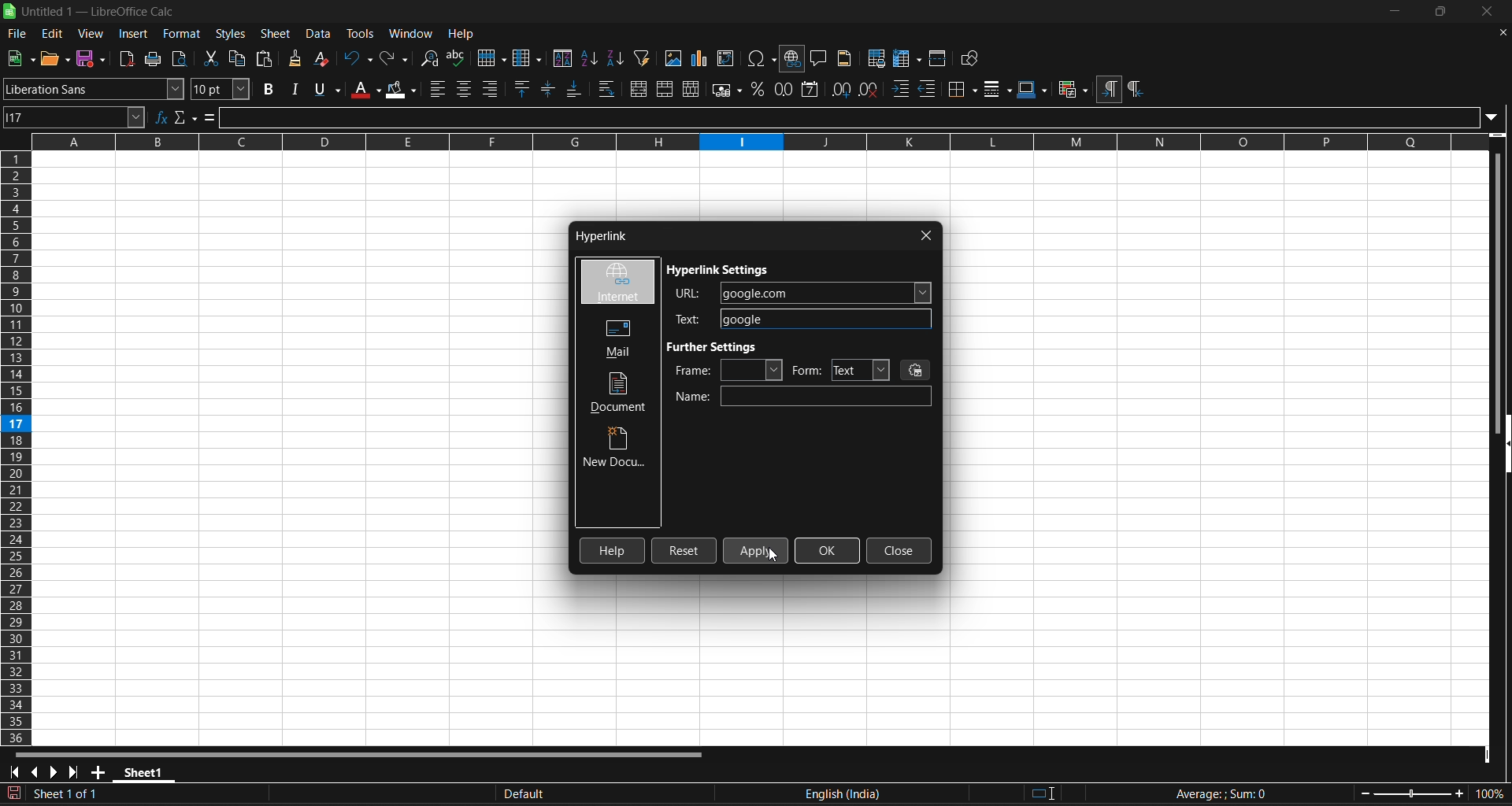 The image size is (1512, 806). What do you see at coordinates (717, 346) in the screenshot?
I see `further settings` at bounding box center [717, 346].